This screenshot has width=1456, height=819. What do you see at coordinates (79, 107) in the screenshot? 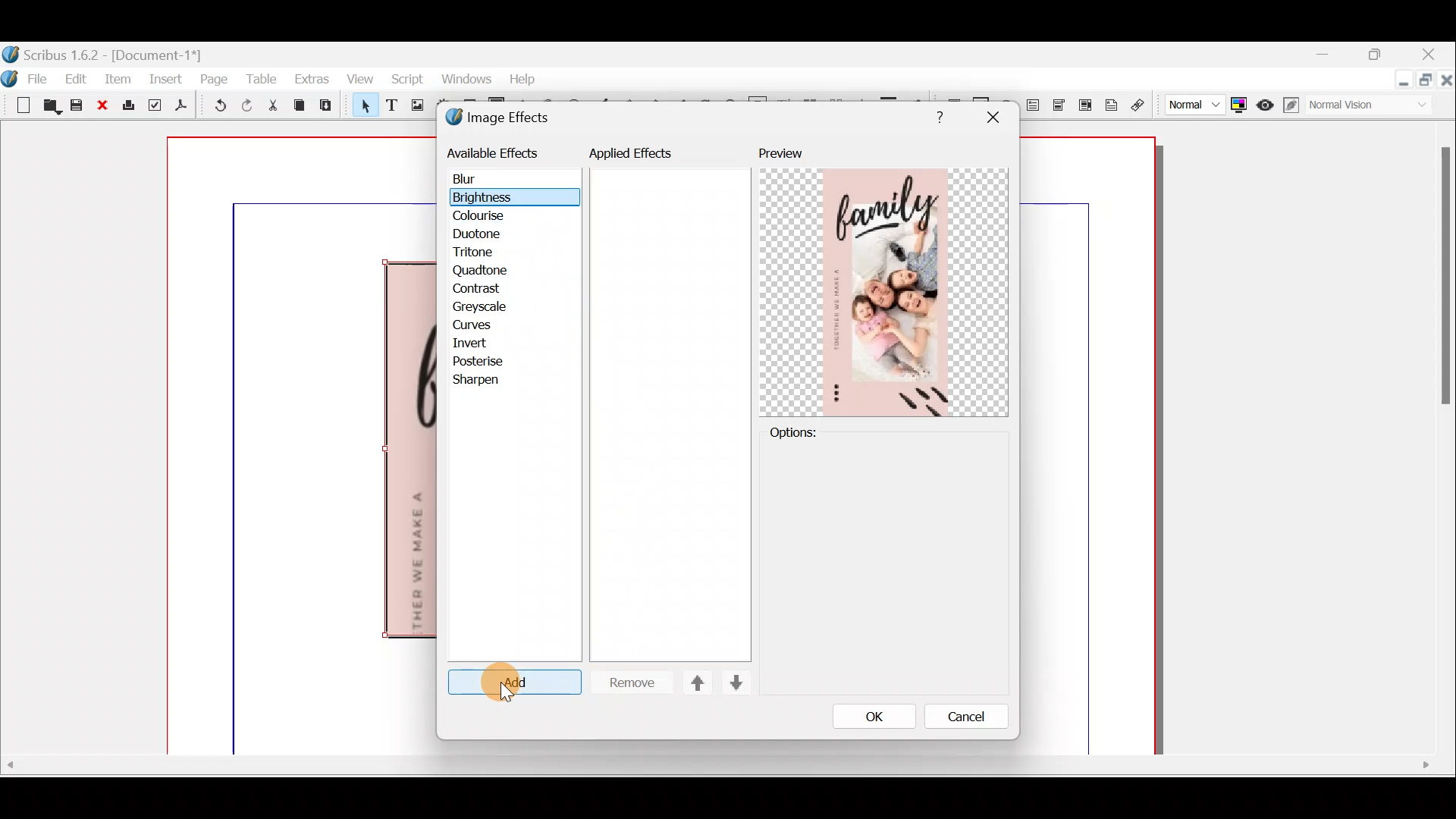
I see `Save` at bounding box center [79, 107].